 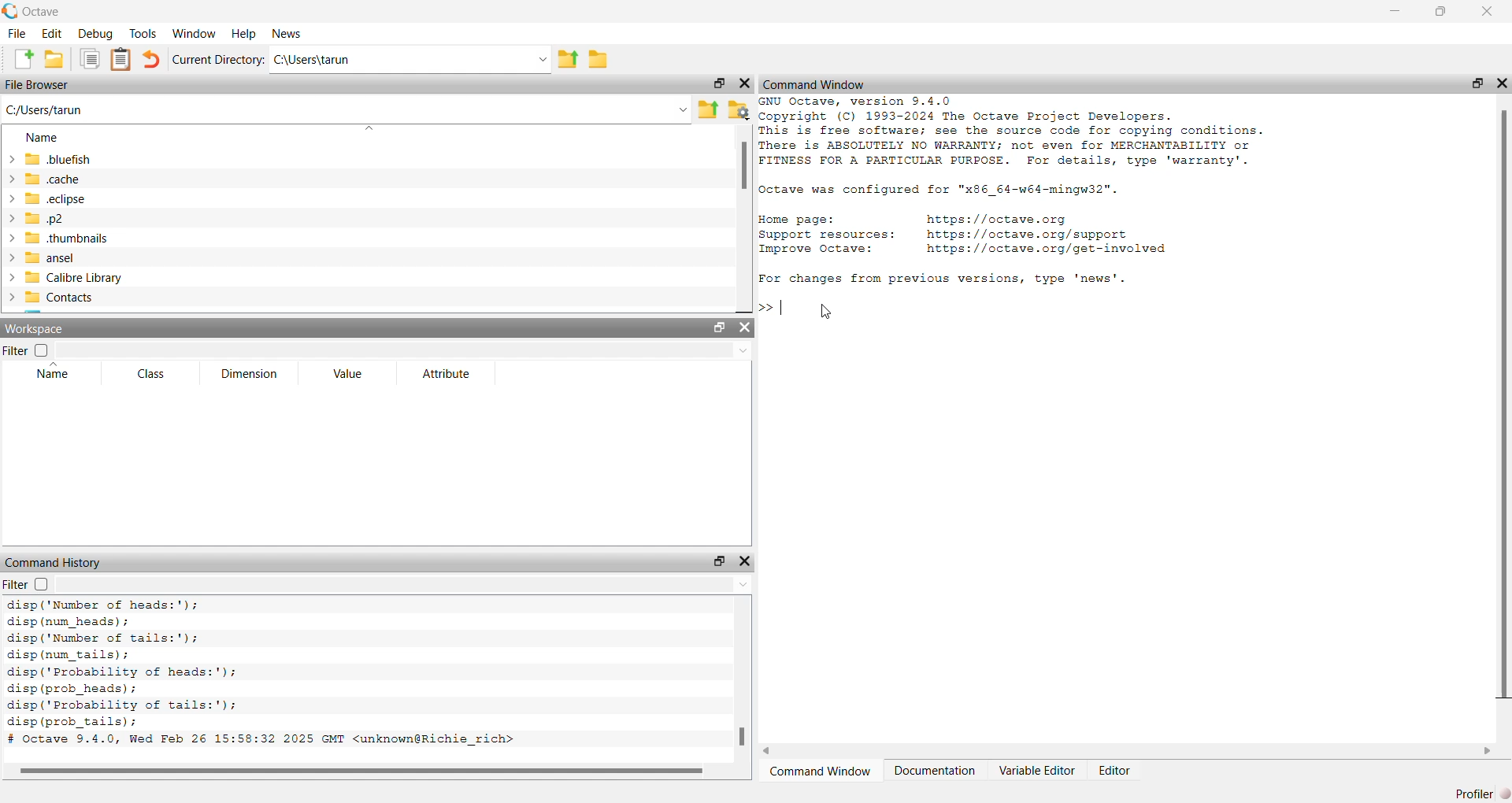 I want to click on Name, so click(x=43, y=136).